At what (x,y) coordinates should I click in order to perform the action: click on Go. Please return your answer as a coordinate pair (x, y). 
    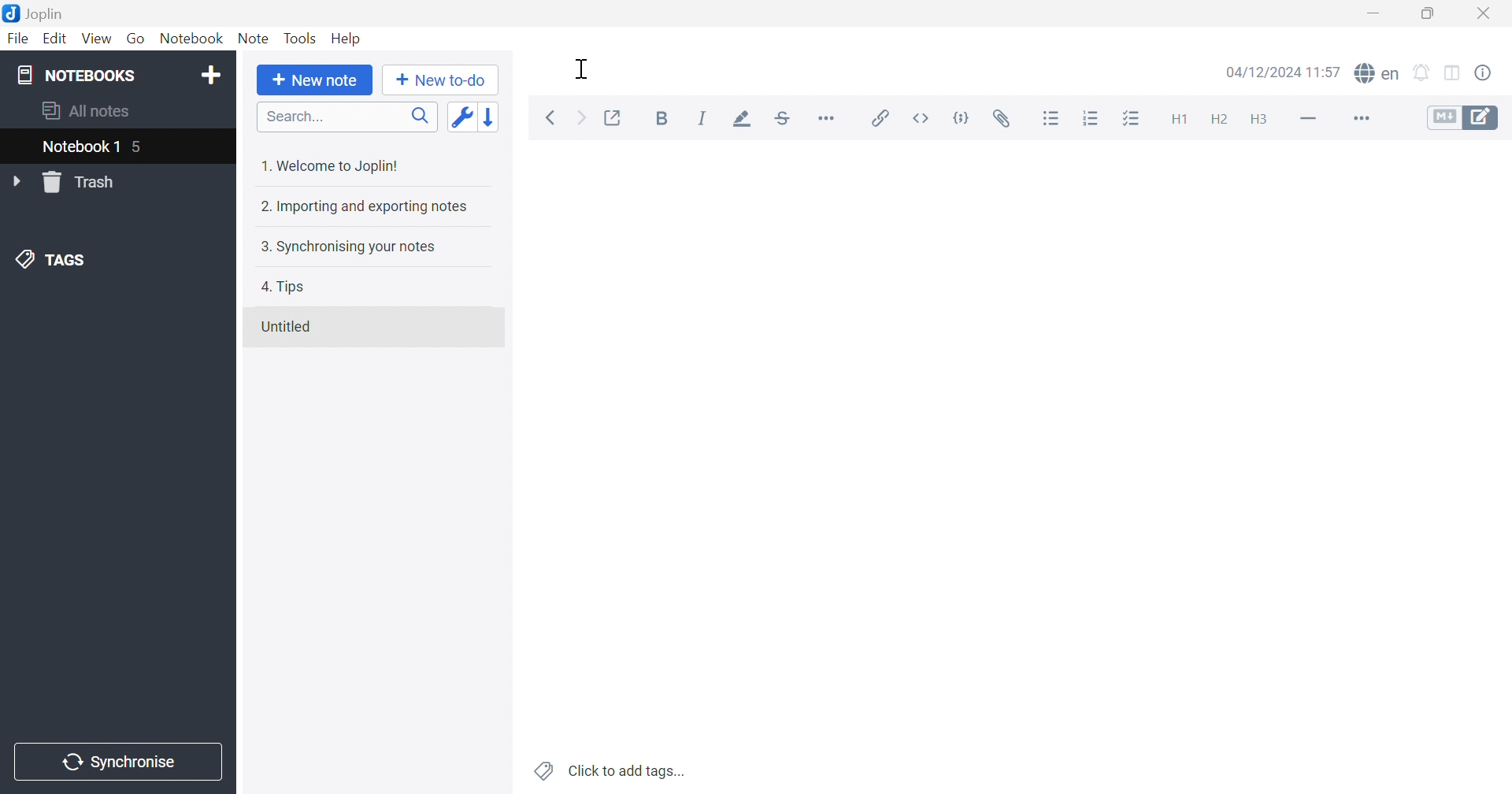
    Looking at the image, I should click on (133, 36).